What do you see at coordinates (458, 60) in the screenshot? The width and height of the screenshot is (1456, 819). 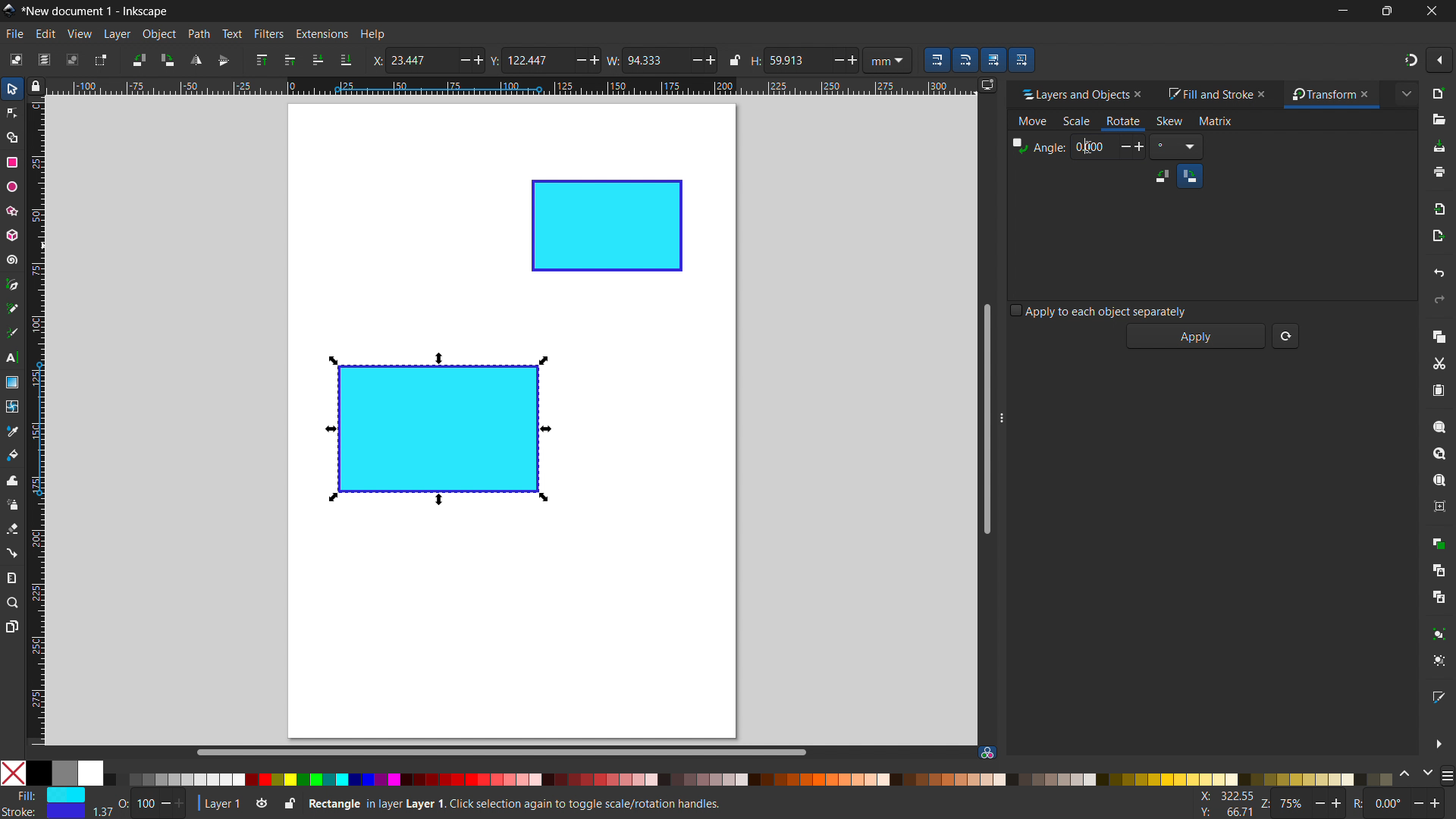 I see `minus/ decrease` at bounding box center [458, 60].